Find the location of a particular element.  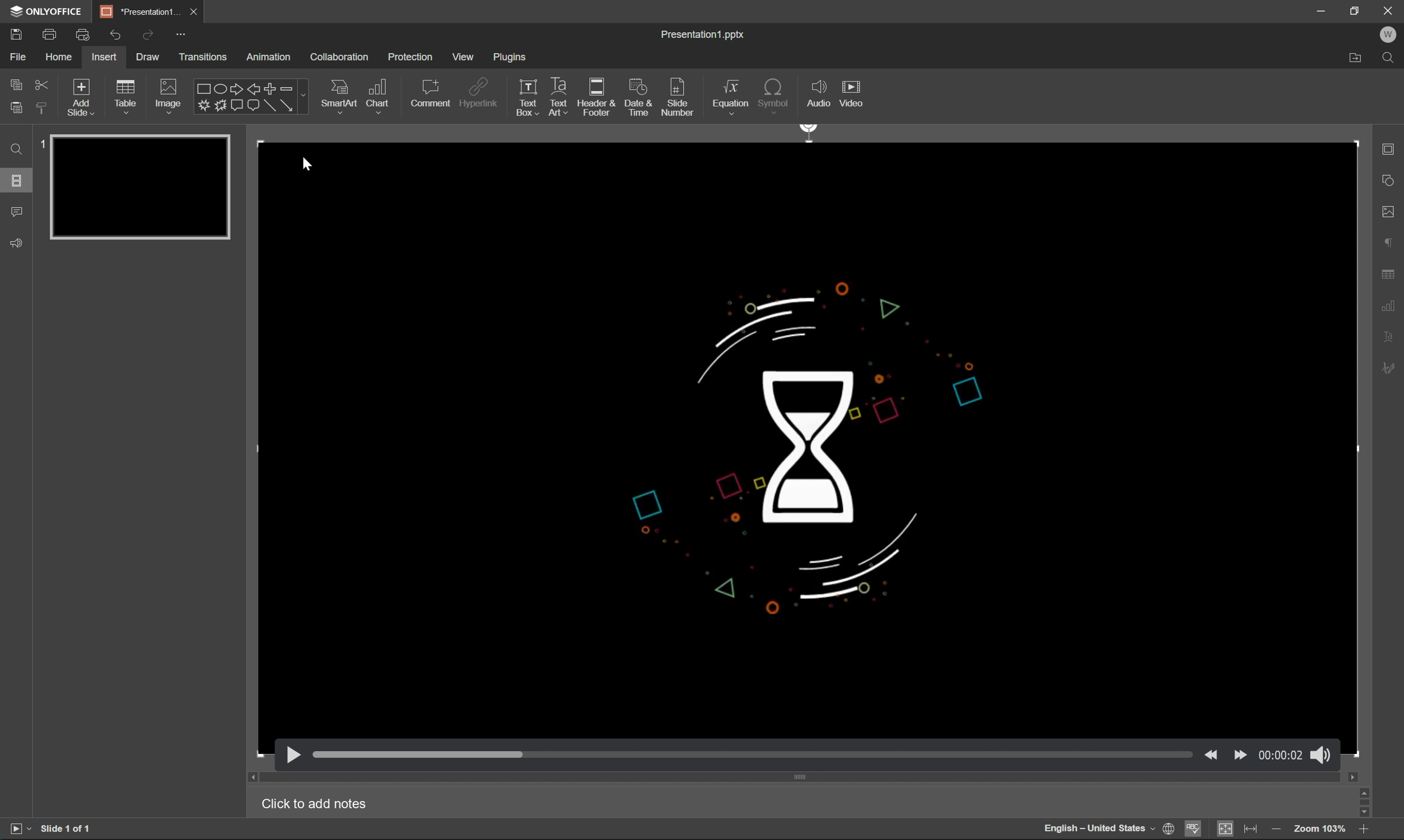

signature settings is located at coordinates (1391, 368).